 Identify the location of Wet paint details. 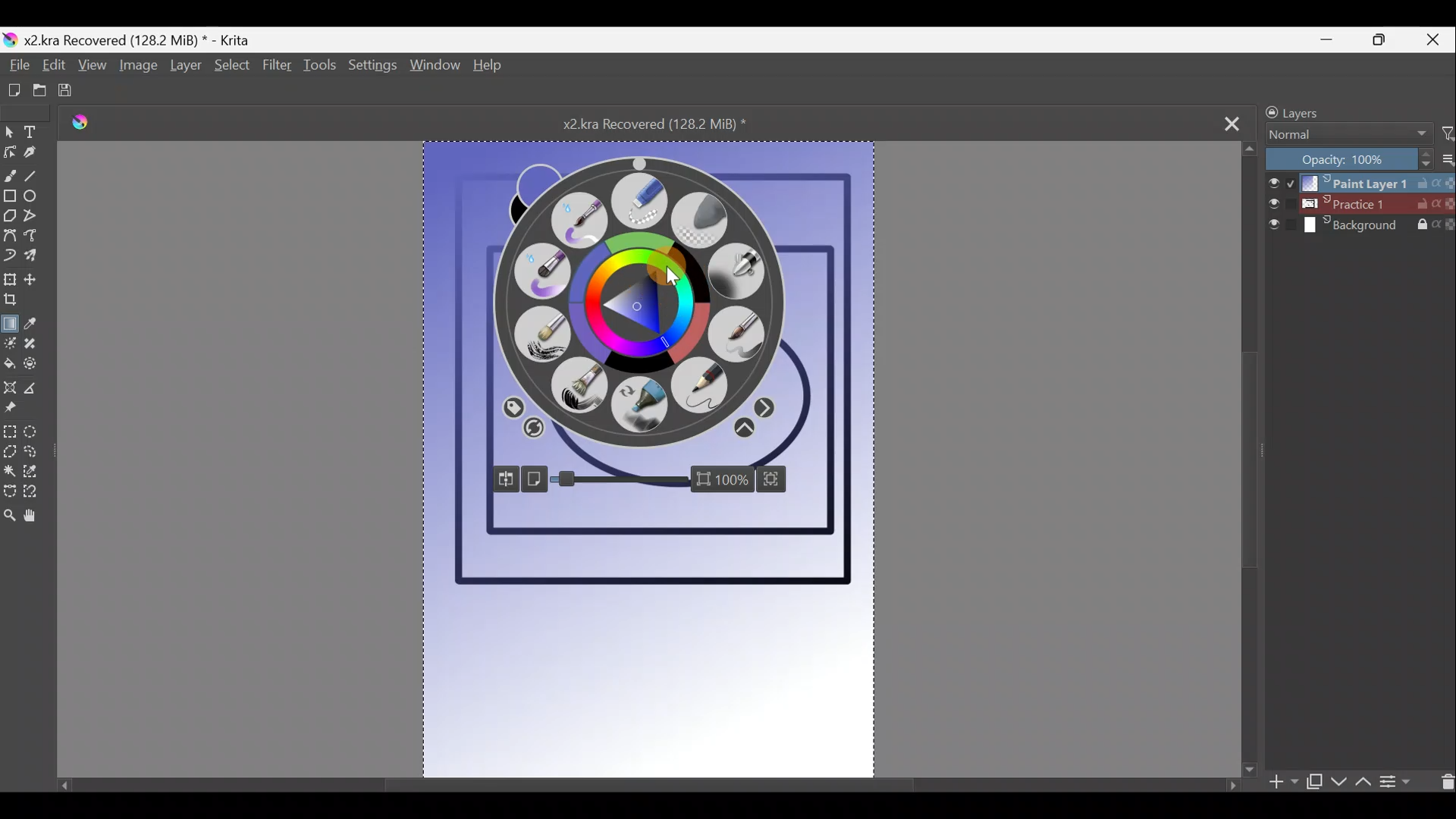
(584, 217).